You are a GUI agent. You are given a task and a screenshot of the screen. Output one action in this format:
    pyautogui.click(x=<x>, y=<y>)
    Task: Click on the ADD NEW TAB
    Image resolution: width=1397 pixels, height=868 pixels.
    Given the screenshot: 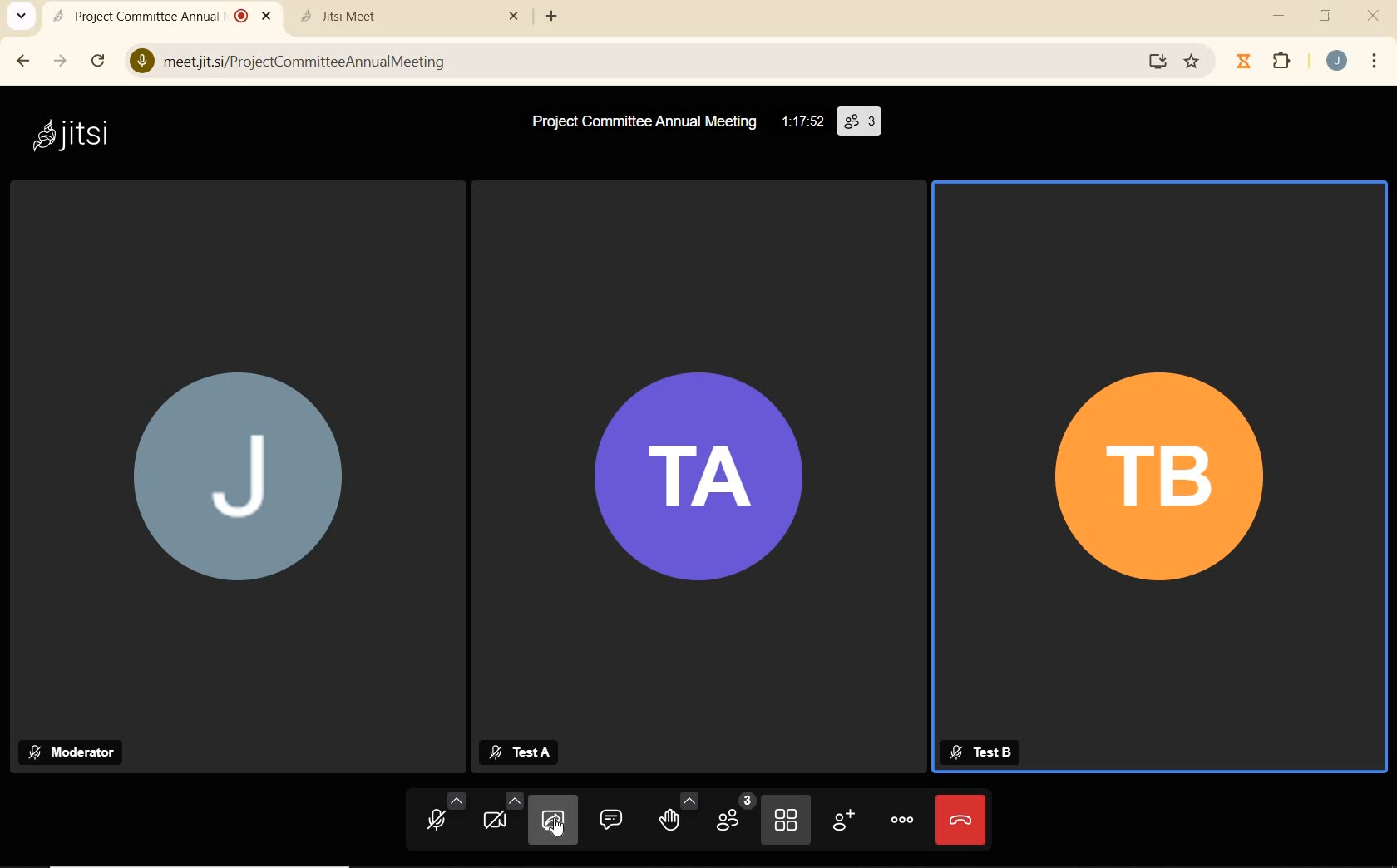 What is the action you would take?
    pyautogui.click(x=552, y=16)
    